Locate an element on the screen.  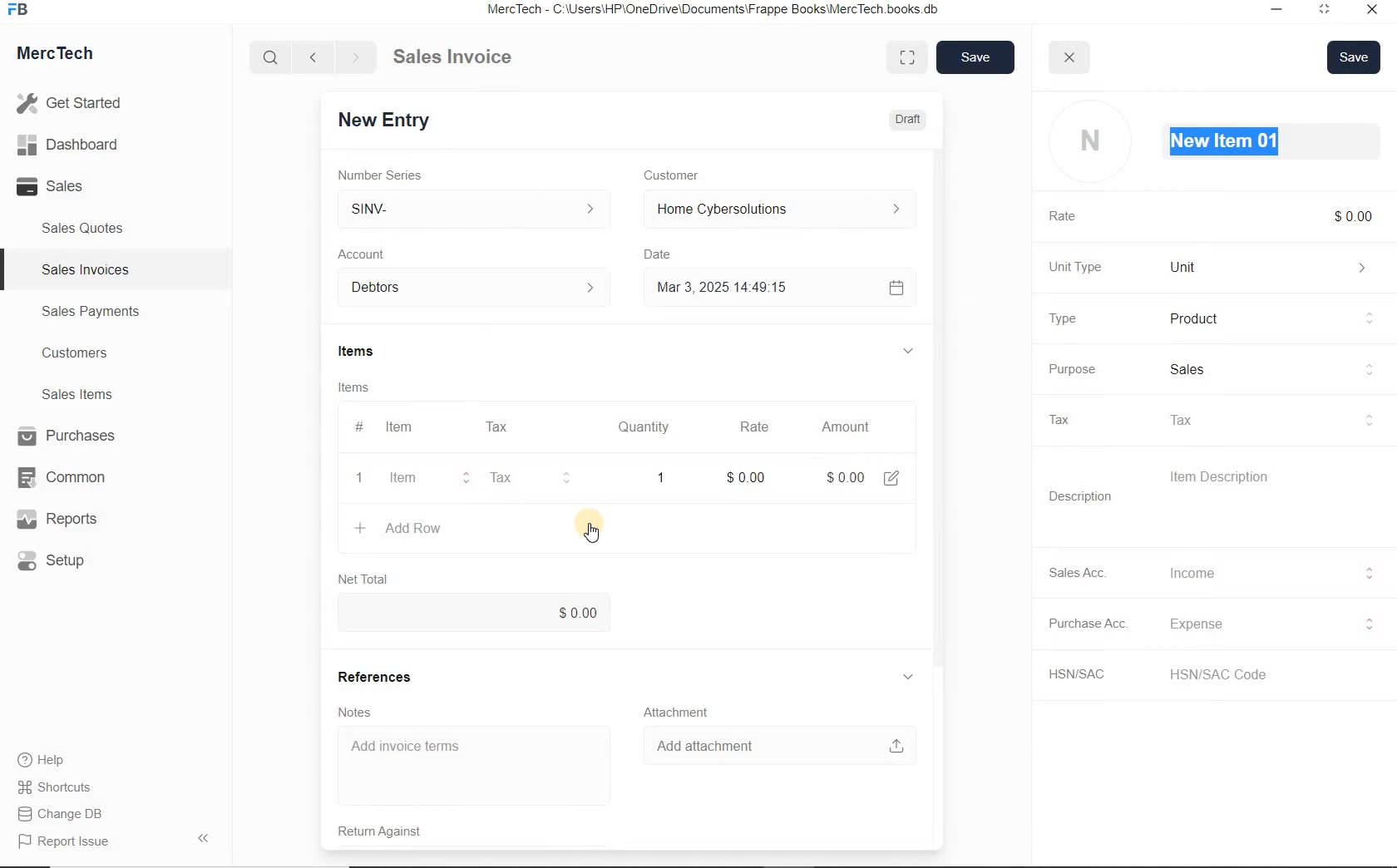
Minimize is located at coordinates (1276, 12).